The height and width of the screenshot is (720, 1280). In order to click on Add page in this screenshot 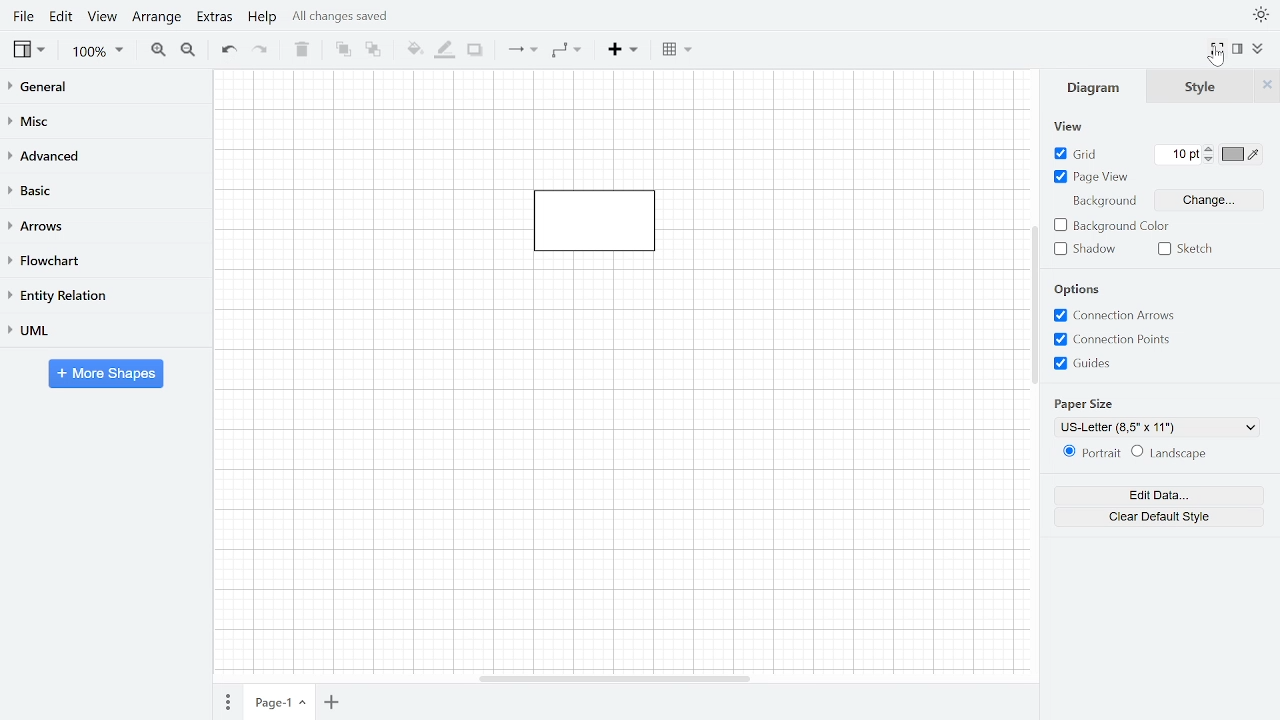, I will do `click(331, 703)`.